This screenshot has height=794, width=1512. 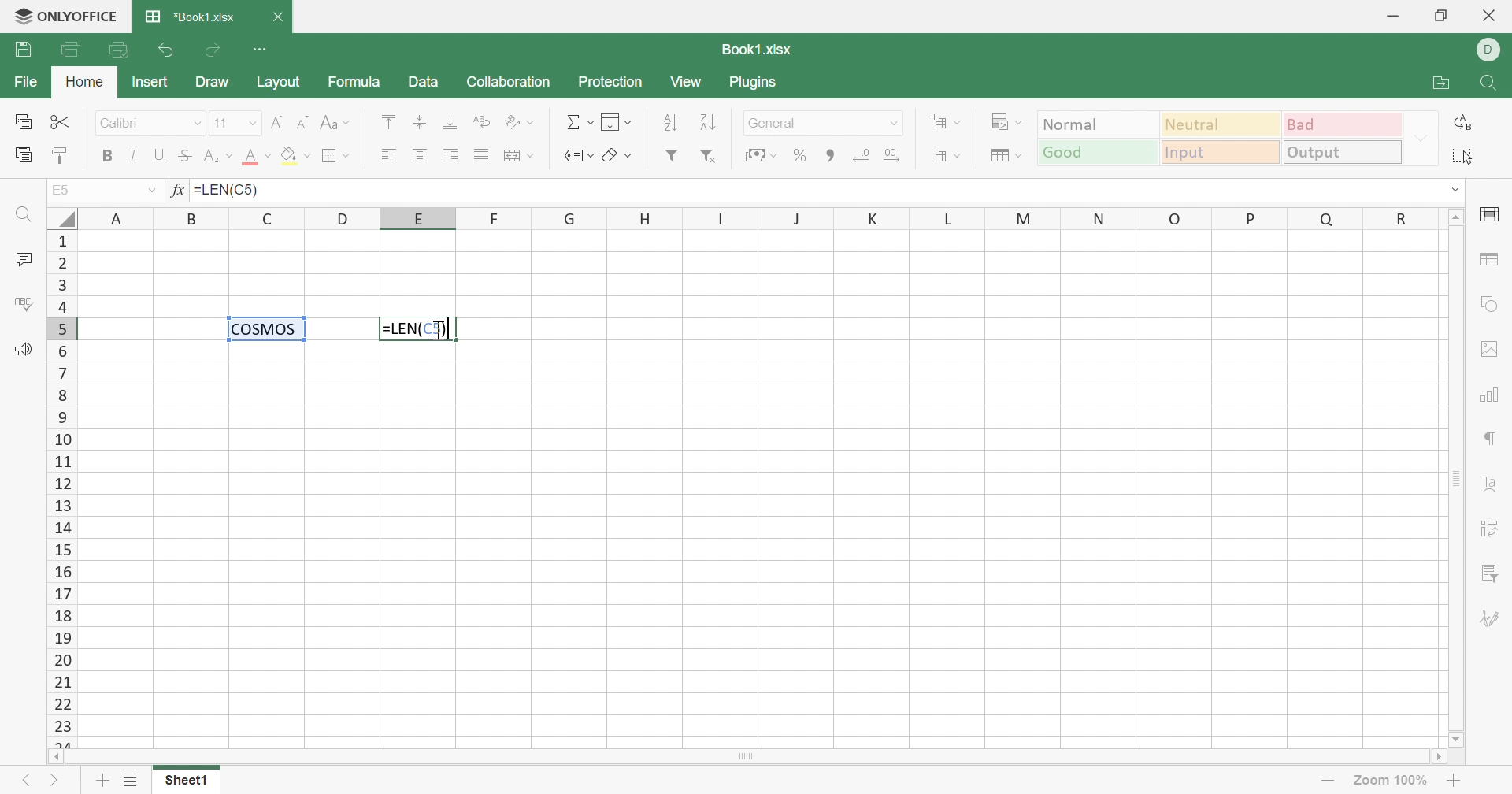 I want to click on Font color, so click(x=258, y=156).